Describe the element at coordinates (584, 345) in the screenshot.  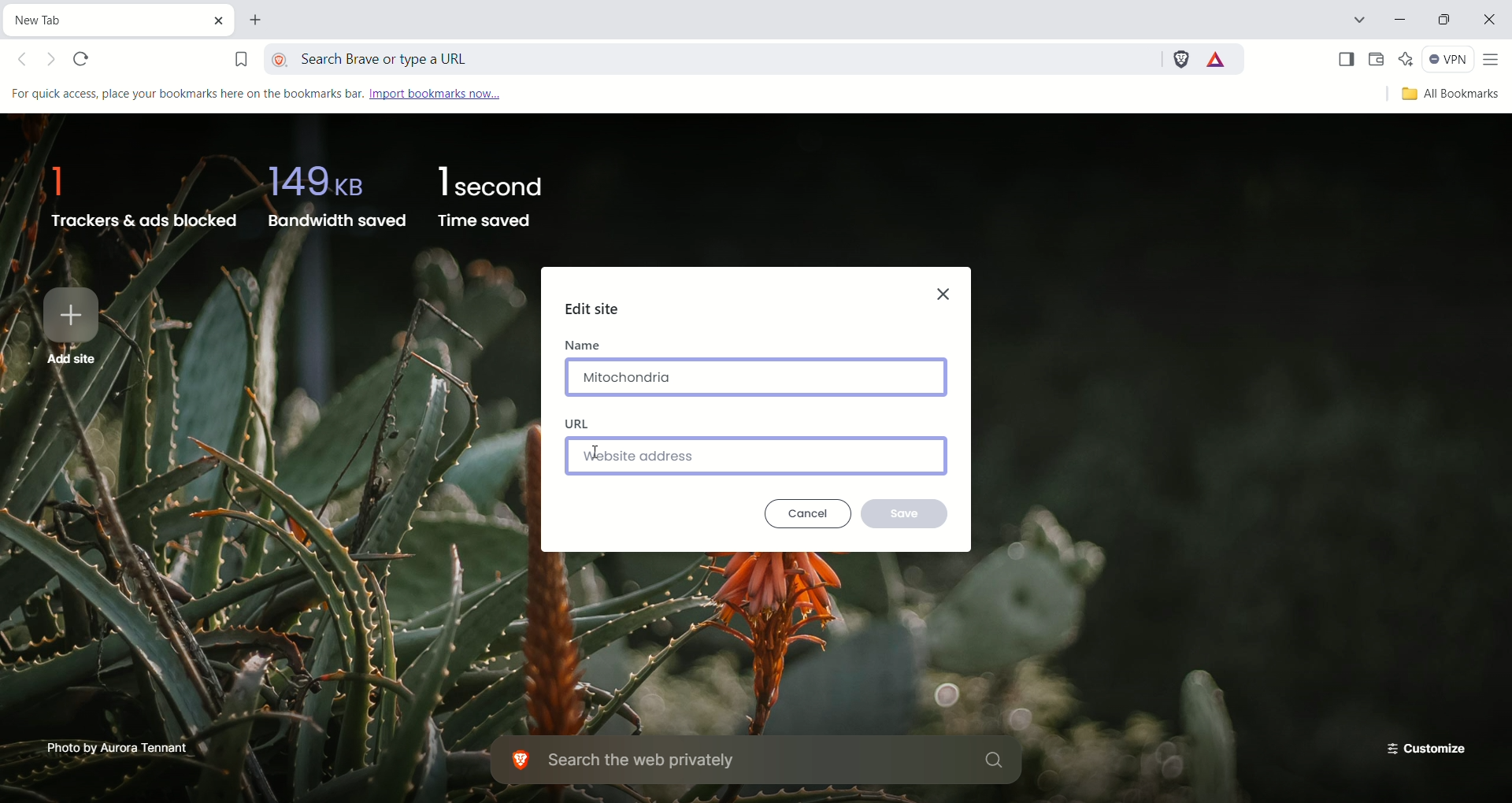
I see `name` at that location.